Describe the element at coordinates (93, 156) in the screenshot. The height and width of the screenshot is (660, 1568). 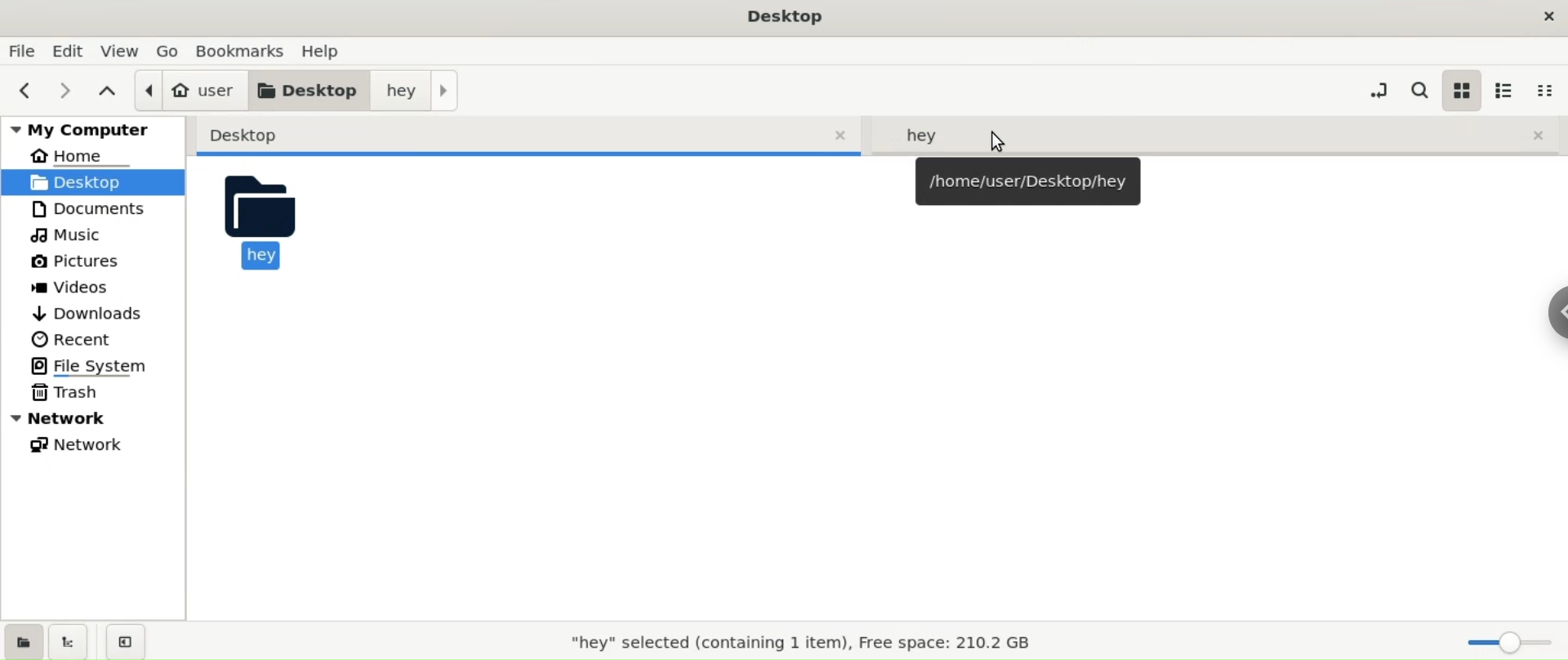
I see `home` at that location.